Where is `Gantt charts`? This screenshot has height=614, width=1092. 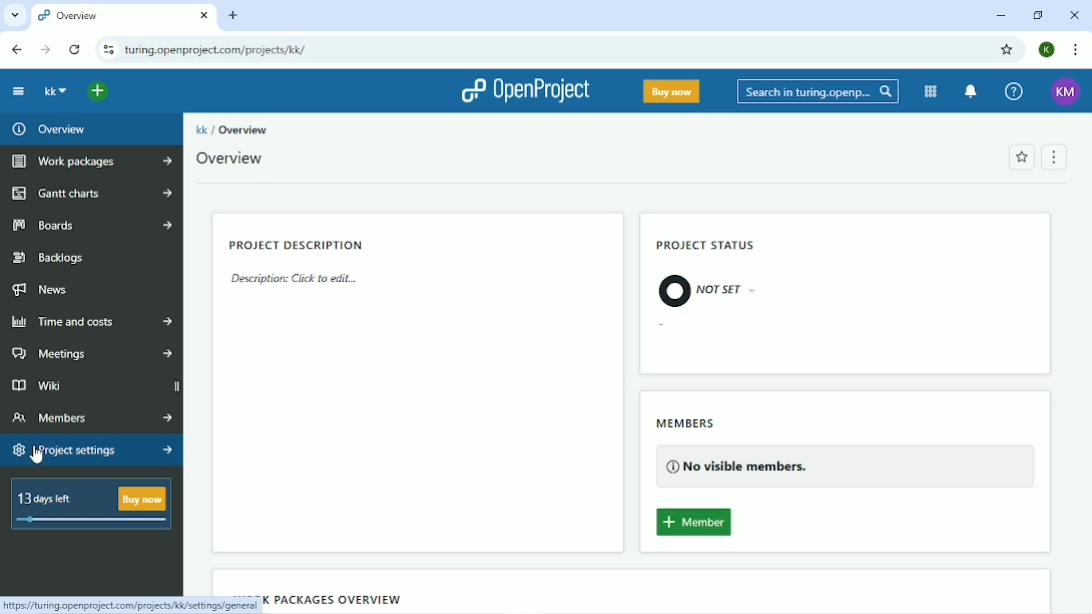
Gantt charts is located at coordinates (93, 193).